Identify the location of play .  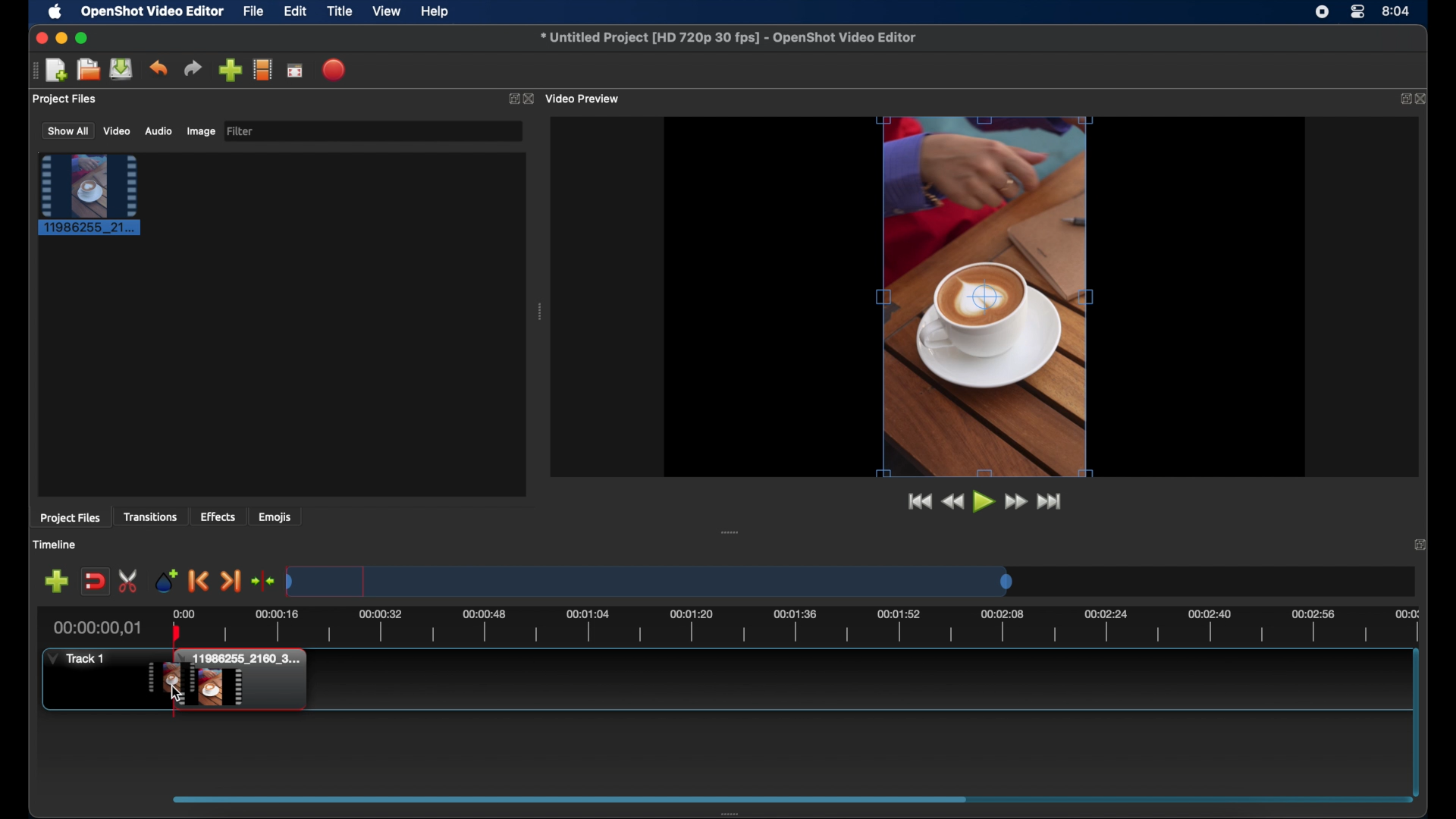
(982, 501).